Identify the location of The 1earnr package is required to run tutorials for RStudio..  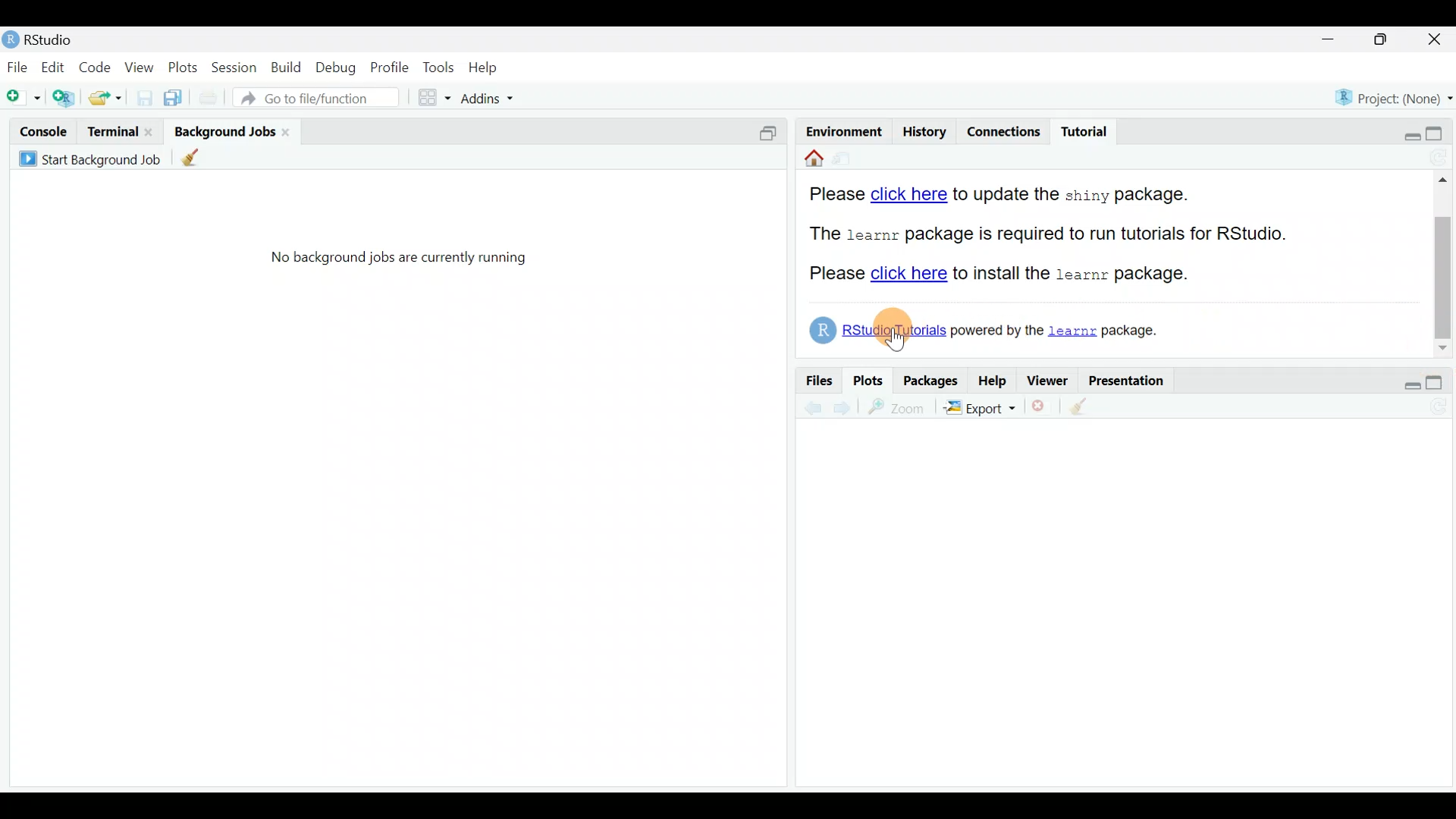
(1052, 229).